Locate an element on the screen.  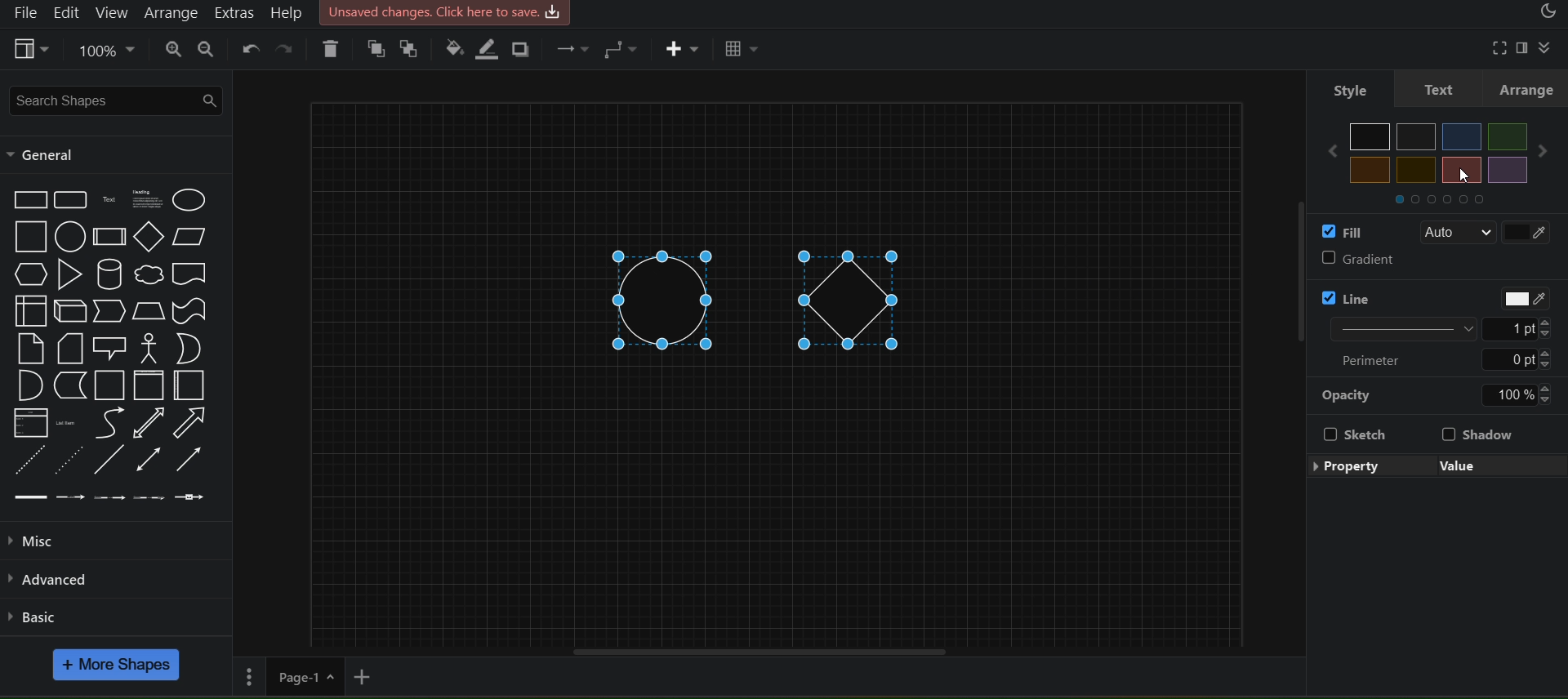
text is located at coordinates (1433, 88).